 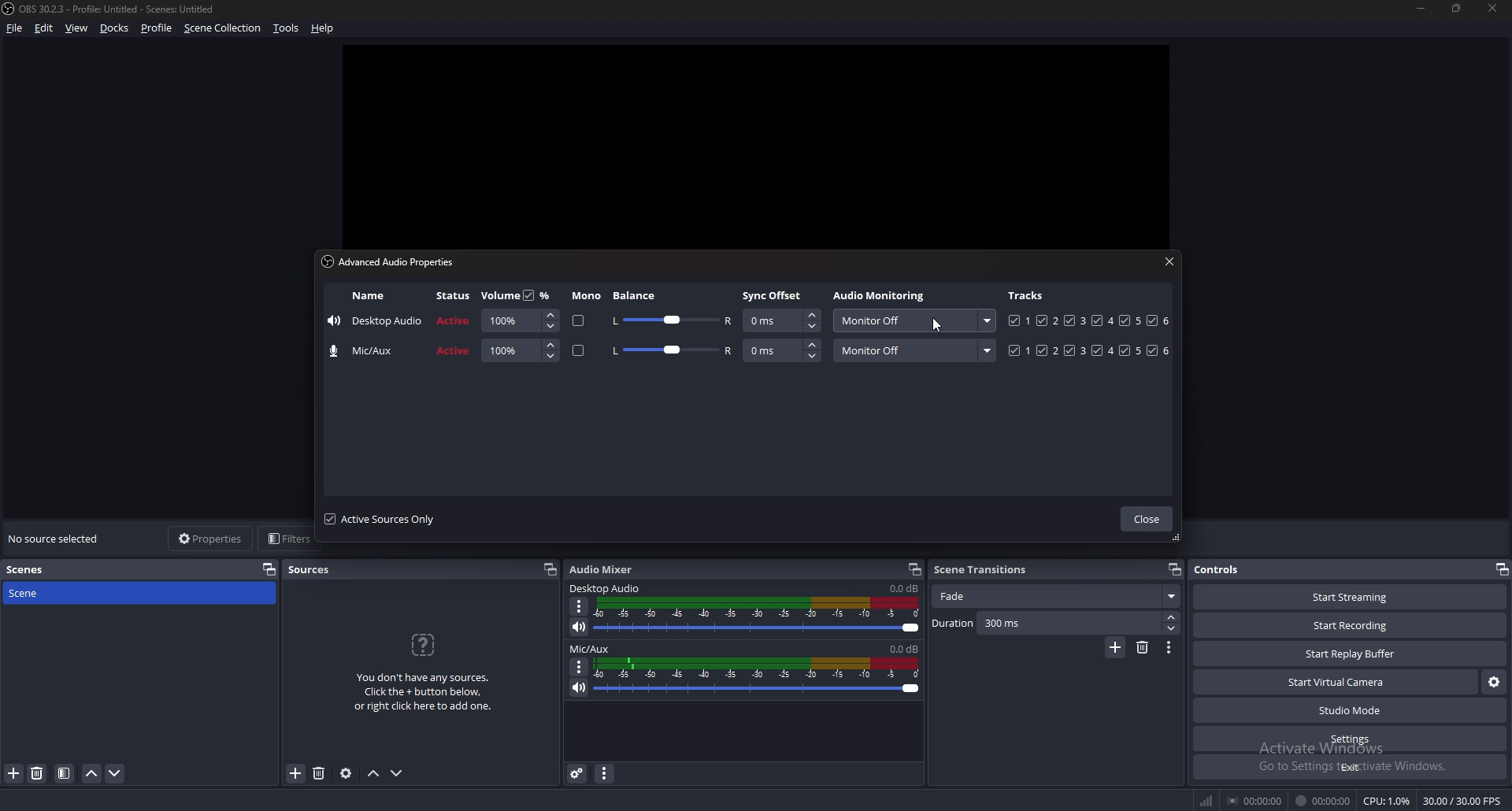 What do you see at coordinates (40, 593) in the screenshot?
I see `scene` at bounding box center [40, 593].